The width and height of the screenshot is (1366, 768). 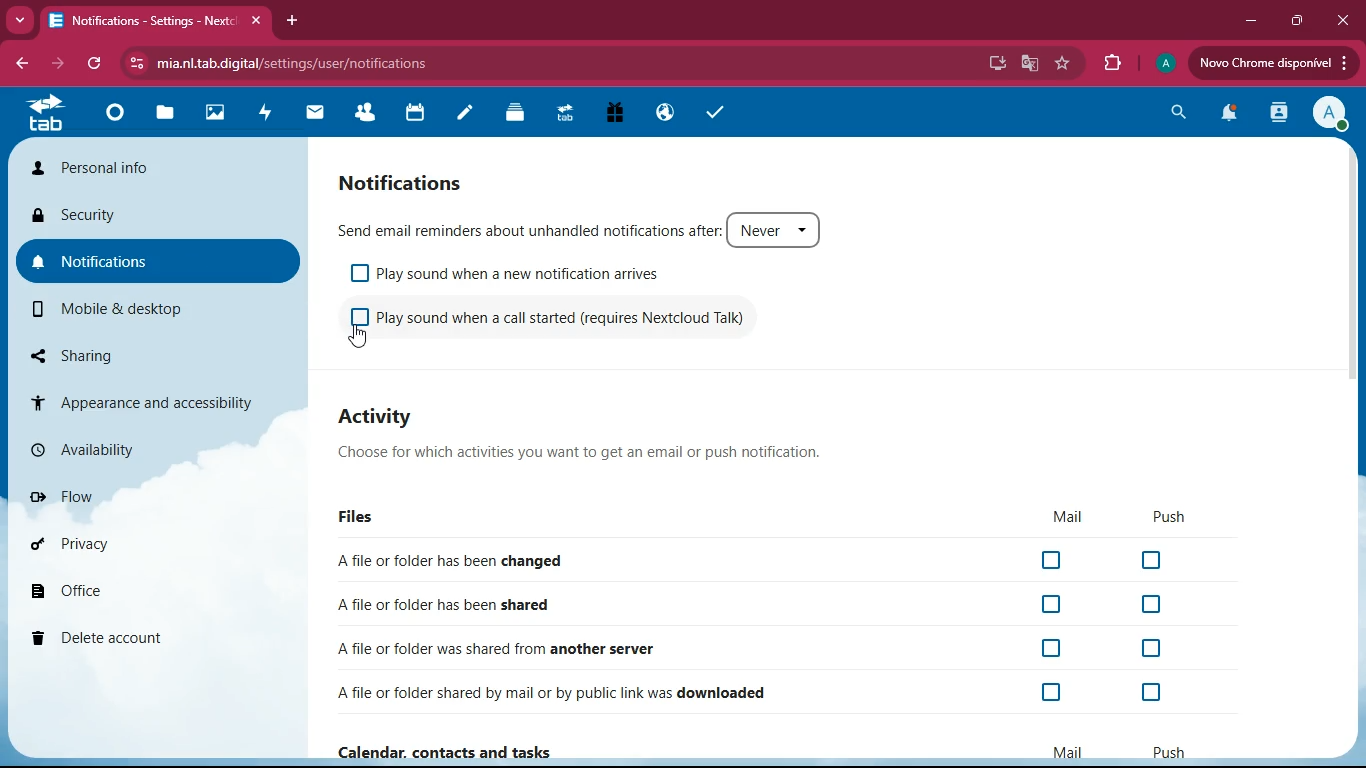 What do you see at coordinates (1148, 648) in the screenshot?
I see `off` at bounding box center [1148, 648].